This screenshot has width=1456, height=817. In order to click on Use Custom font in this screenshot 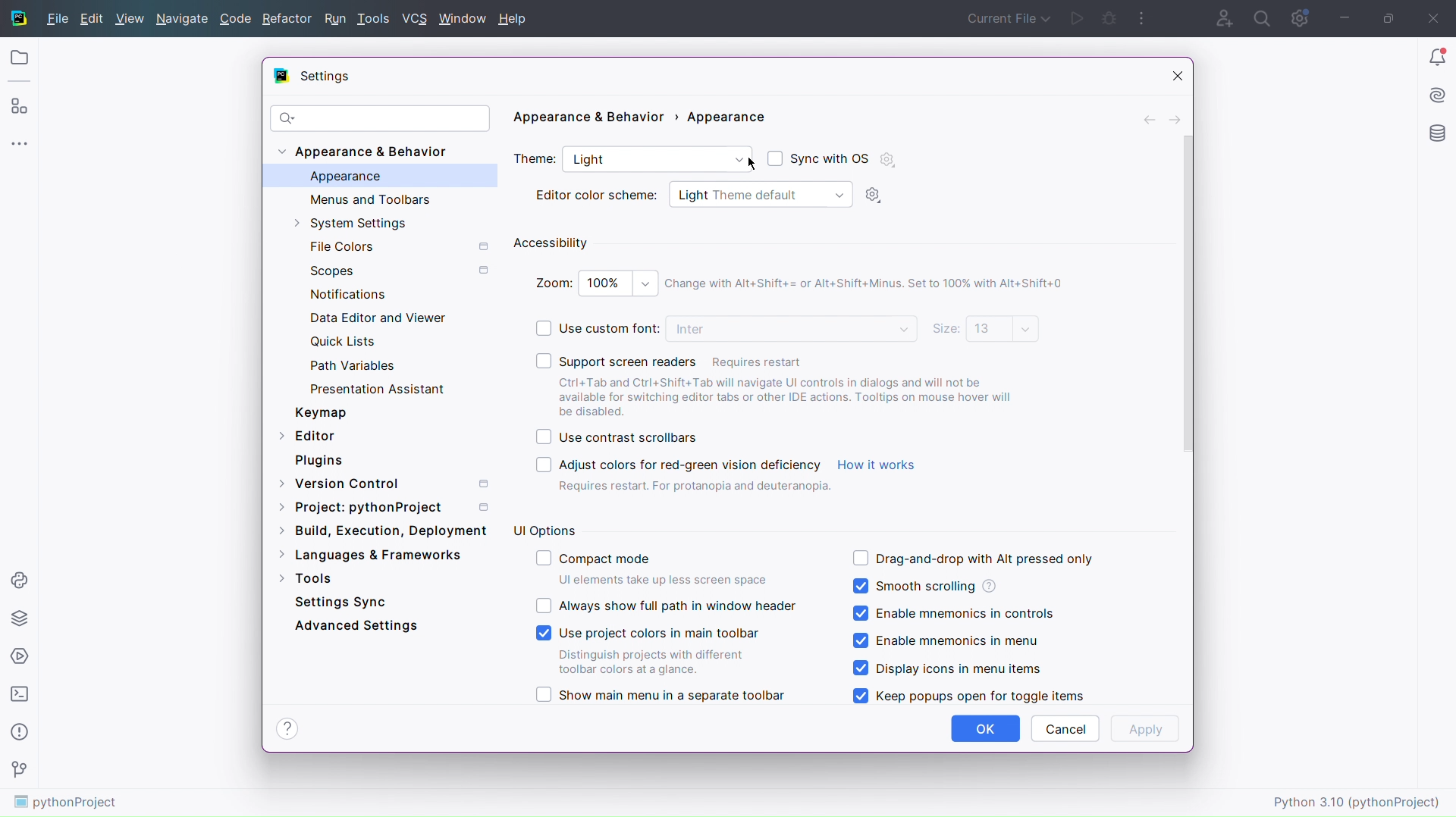, I will do `click(584, 327)`.